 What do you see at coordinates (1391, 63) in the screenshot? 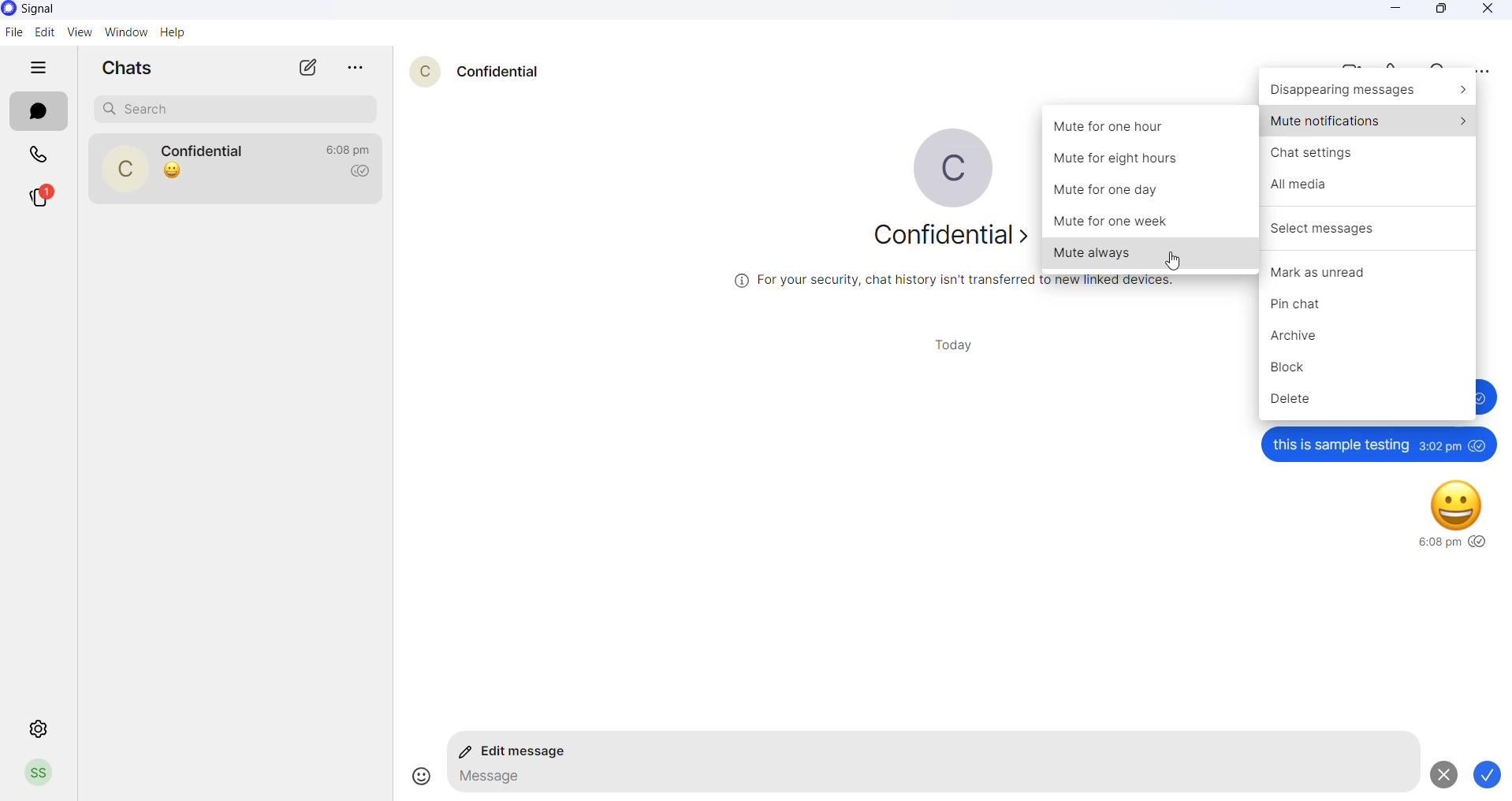
I see `voice call` at bounding box center [1391, 63].